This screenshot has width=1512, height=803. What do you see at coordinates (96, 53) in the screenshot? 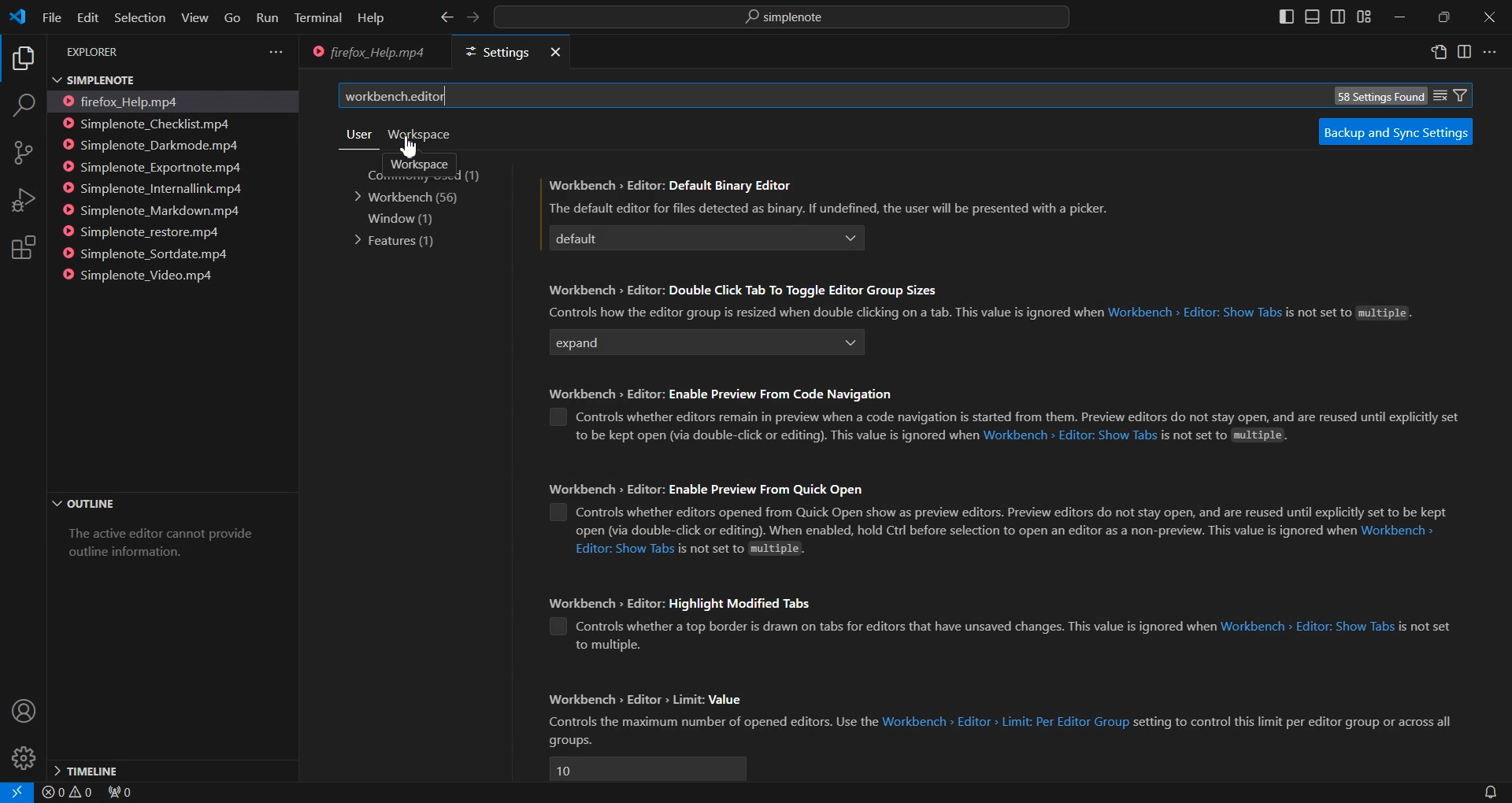
I see `EXPLORER` at bounding box center [96, 53].